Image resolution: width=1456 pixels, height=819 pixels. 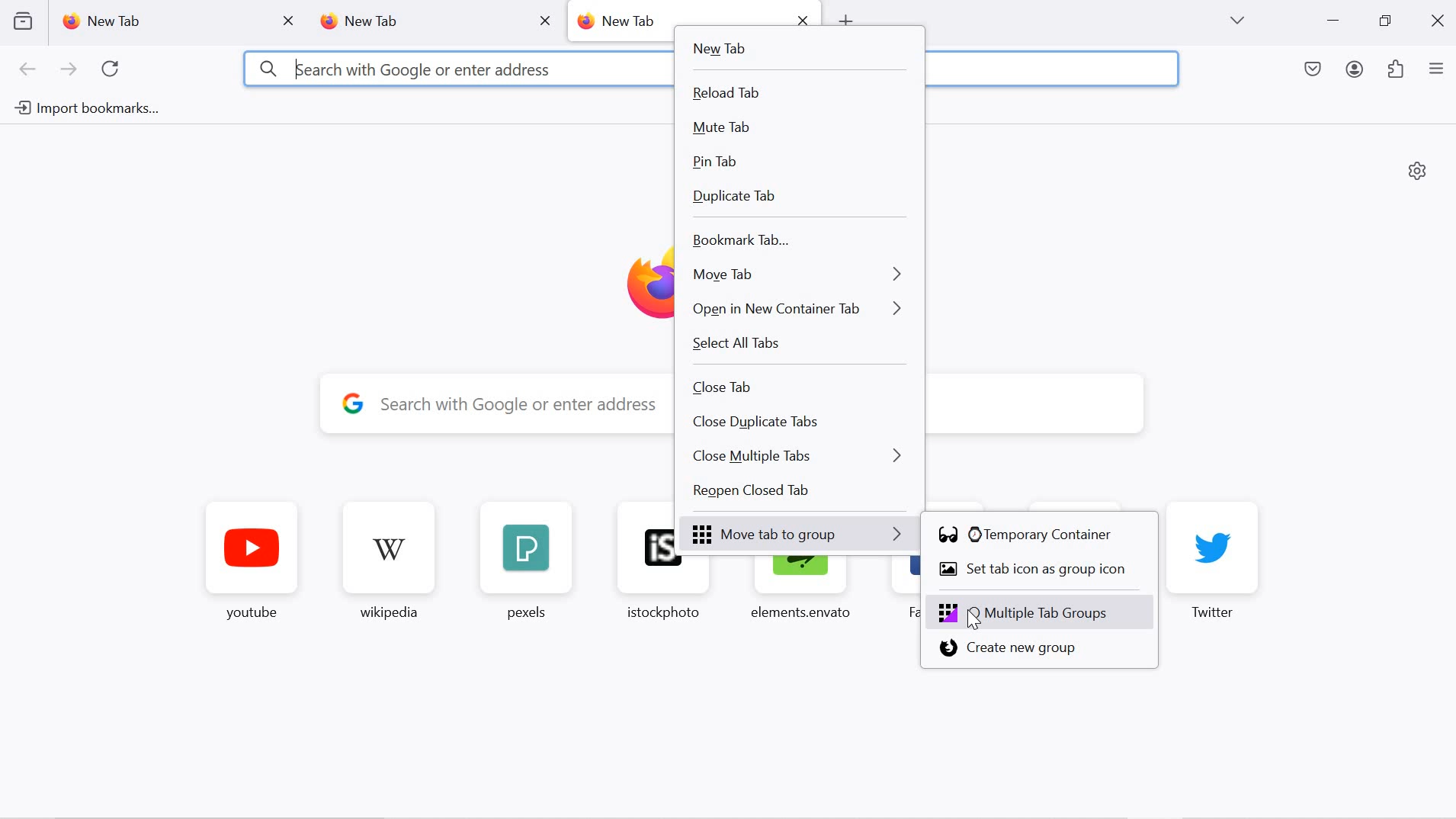 What do you see at coordinates (1037, 570) in the screenshot?
I see `set tab icon as group icon` at bounding box center [1037, 570].